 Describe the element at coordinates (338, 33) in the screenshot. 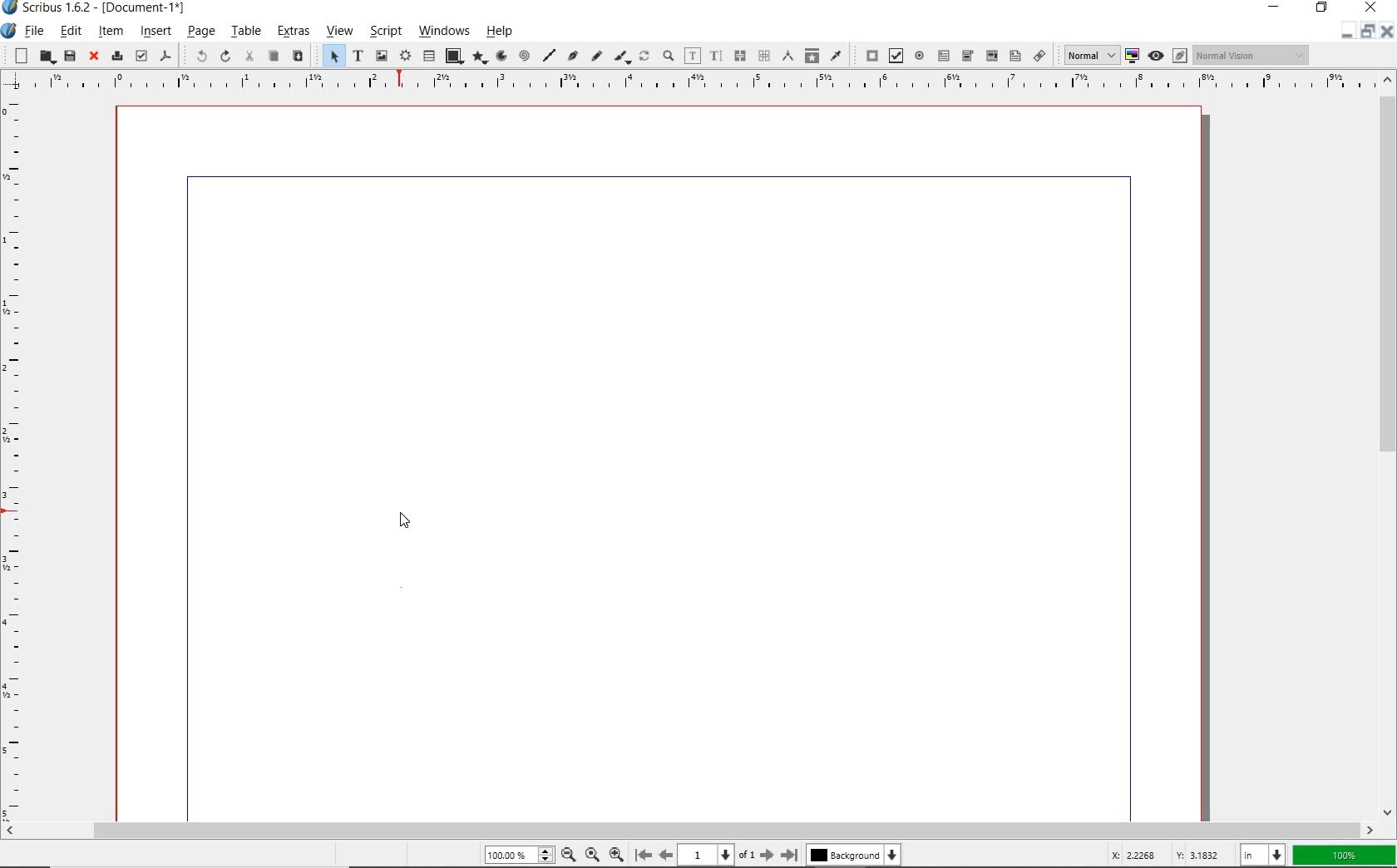

I see `view` at that location.